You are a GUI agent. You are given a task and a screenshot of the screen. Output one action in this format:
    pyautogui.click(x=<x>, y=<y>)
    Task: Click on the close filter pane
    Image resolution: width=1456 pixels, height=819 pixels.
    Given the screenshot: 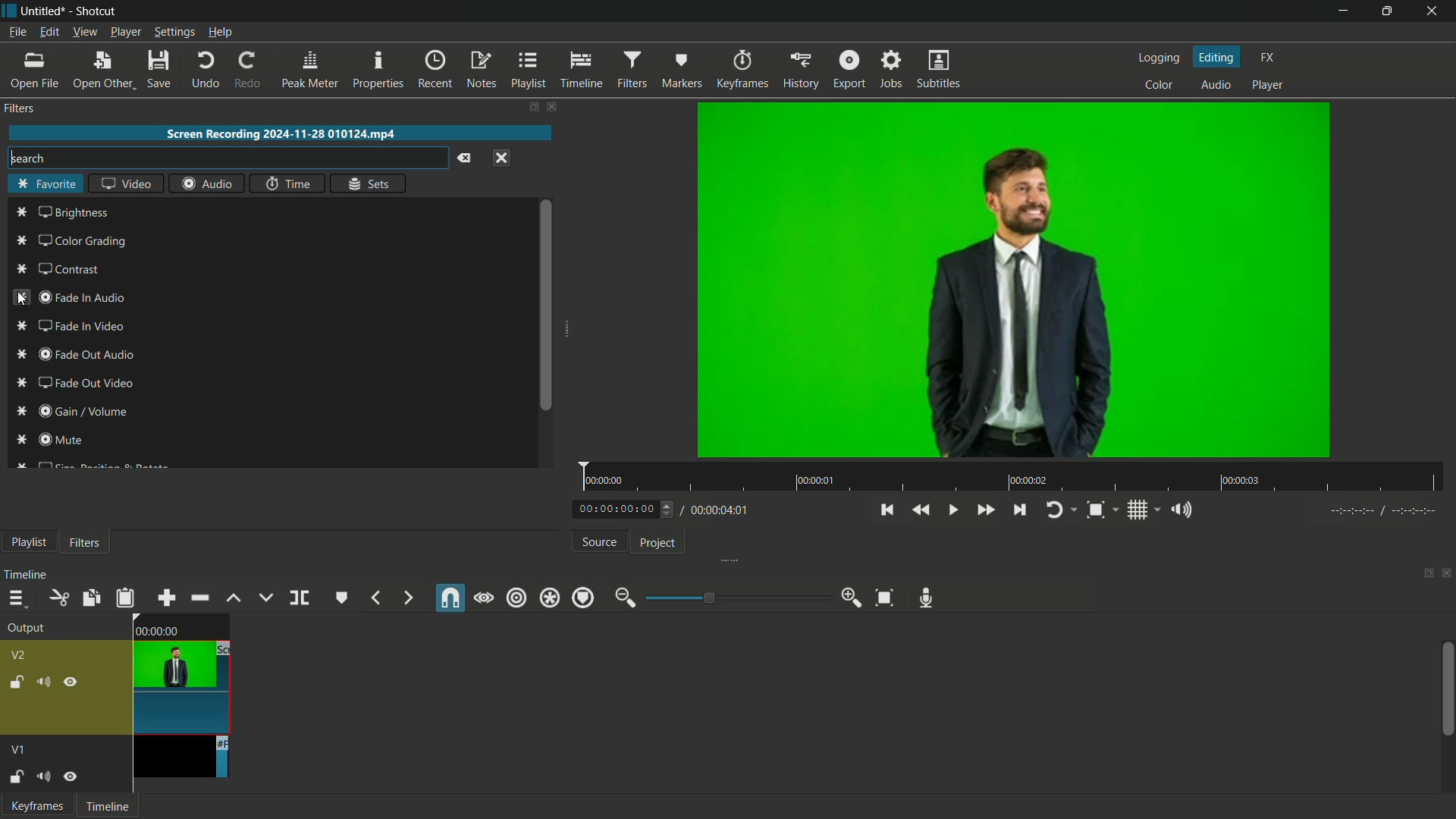 What is the action you would take?
    pyautogui.click(x=556, y=108)
    